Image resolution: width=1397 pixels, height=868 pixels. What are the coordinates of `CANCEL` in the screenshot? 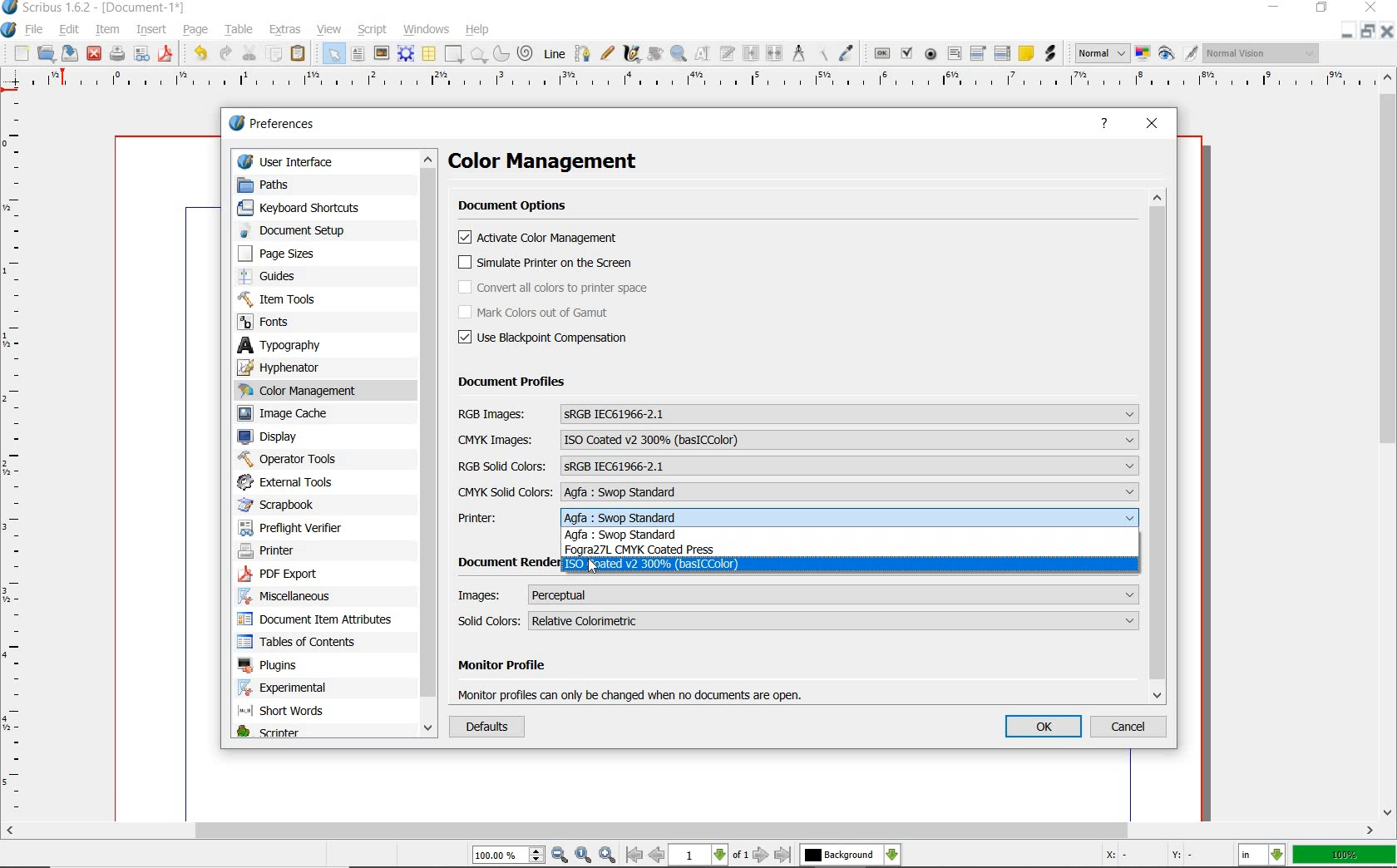 It's located at (1132, 727).